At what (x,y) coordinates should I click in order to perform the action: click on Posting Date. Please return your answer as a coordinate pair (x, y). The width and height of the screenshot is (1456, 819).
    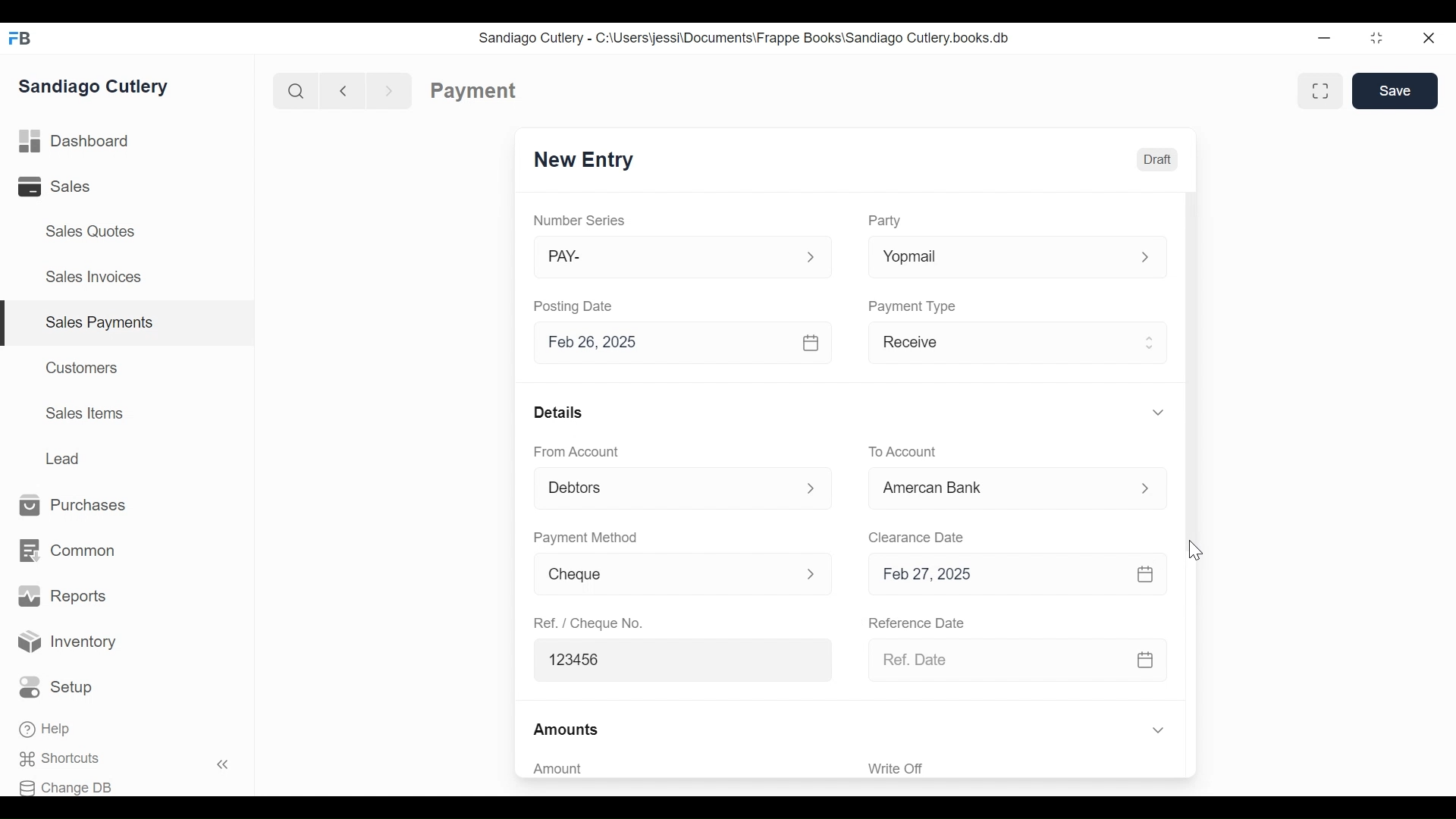
    Looking at the image, I should click on (576, 306).